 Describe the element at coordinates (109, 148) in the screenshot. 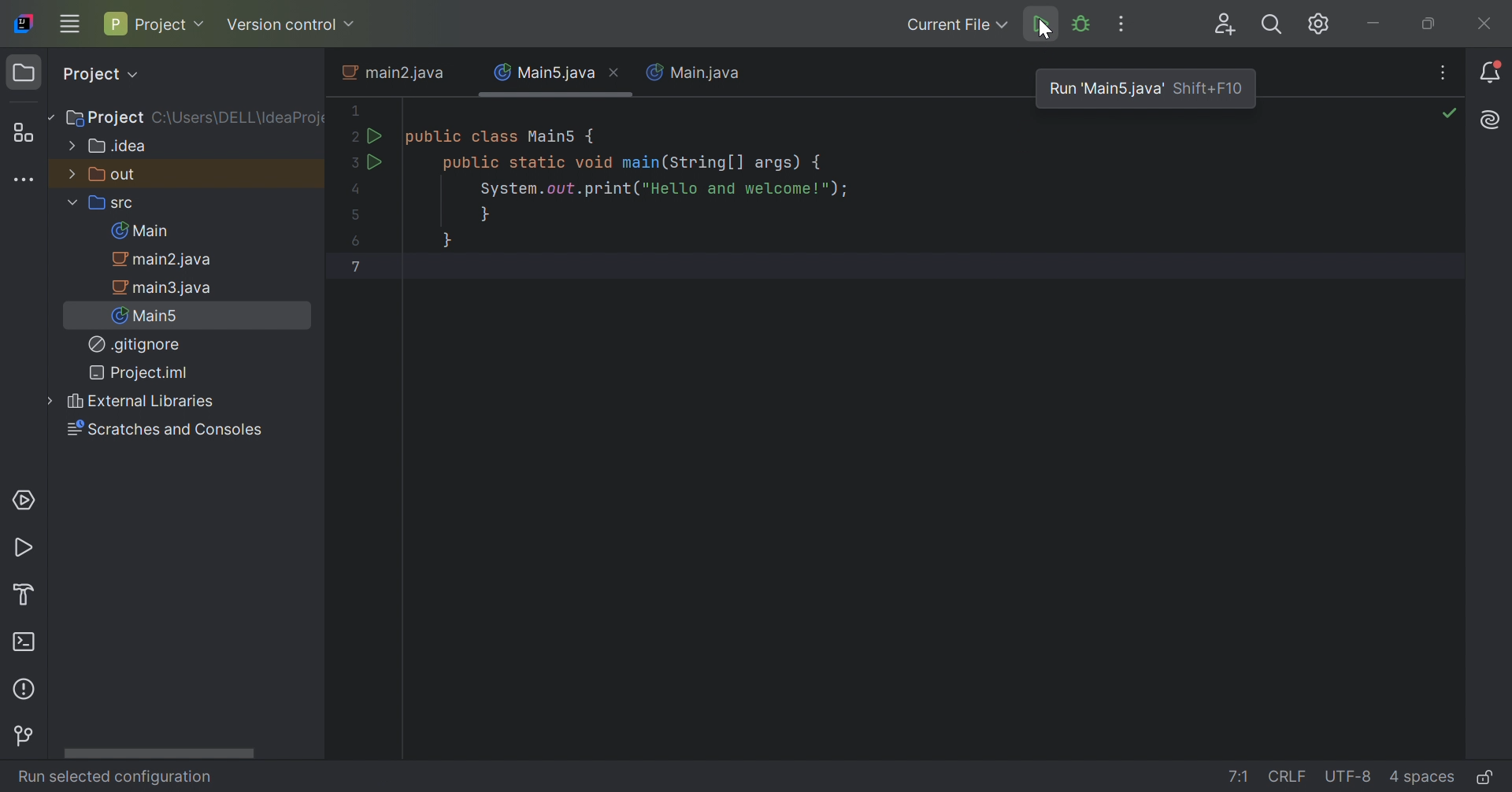

I see `.idea` at that location.